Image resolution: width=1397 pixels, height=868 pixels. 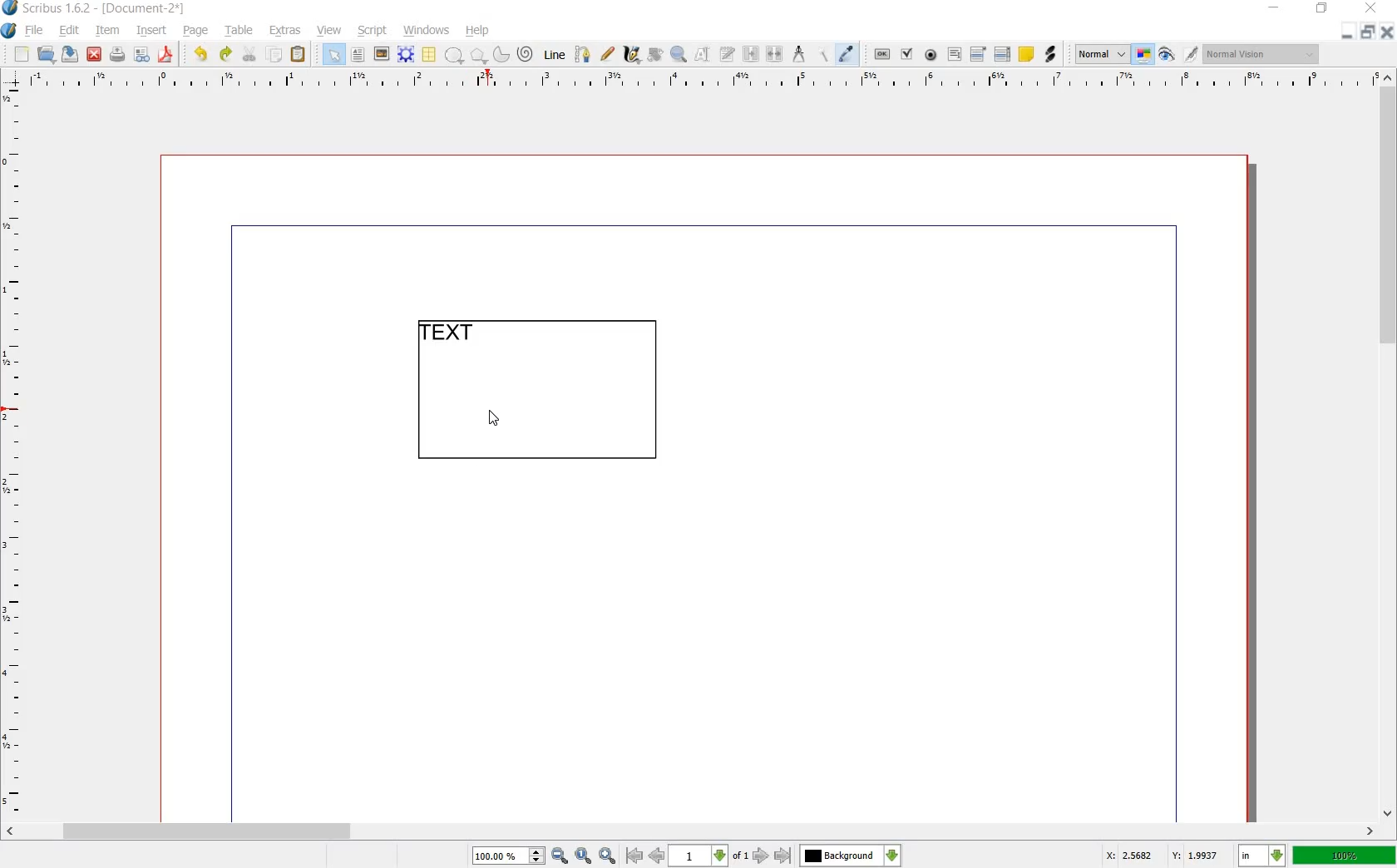 I want to click on select item, so click(x=333, y=54).